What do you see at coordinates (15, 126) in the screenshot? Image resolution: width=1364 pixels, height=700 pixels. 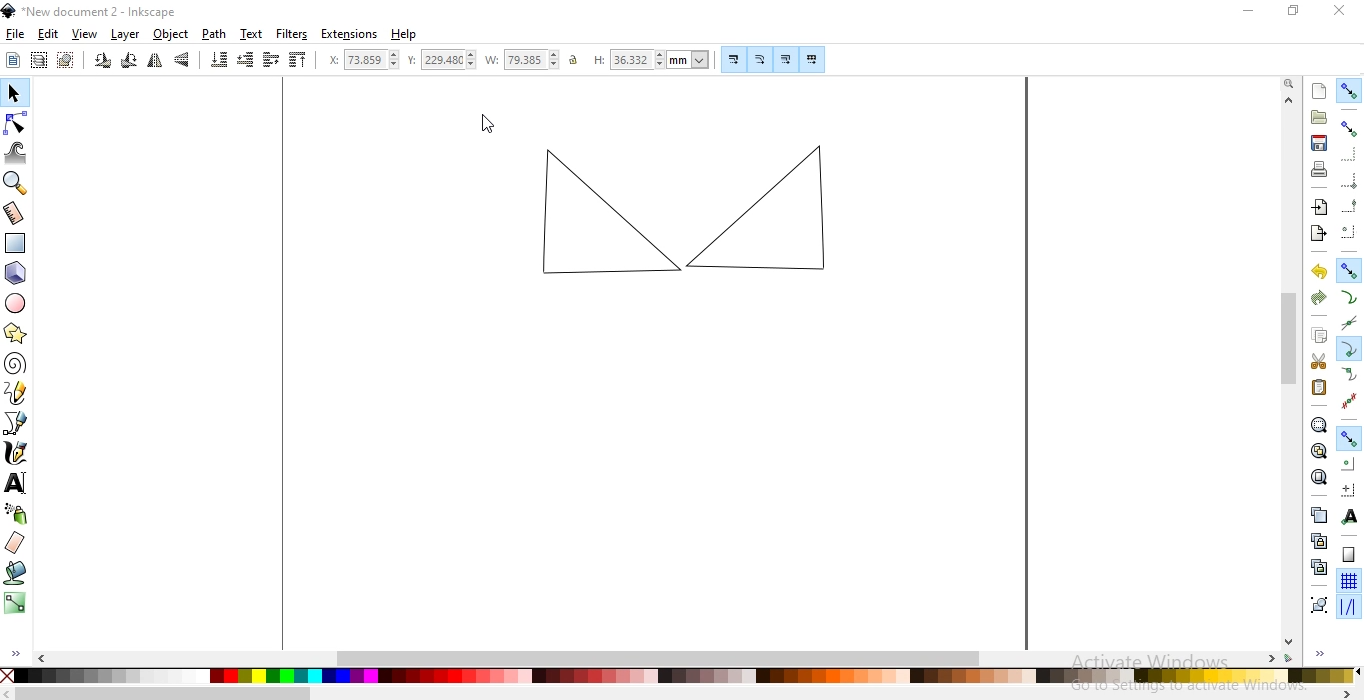 I see `edit path by nodes` at bounding box center [15, 126].